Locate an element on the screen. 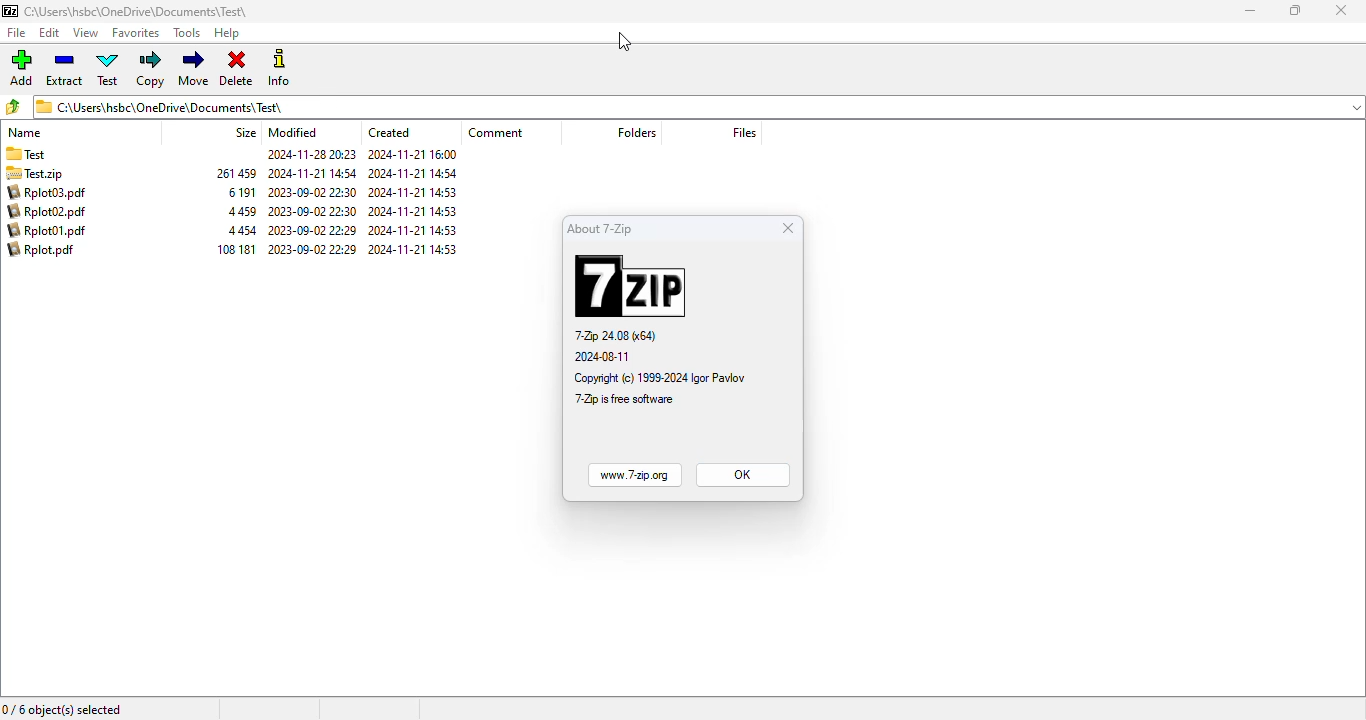 The height and width of the screenshot is (720, 1366). minimize is located at coordinates (1251, 10).